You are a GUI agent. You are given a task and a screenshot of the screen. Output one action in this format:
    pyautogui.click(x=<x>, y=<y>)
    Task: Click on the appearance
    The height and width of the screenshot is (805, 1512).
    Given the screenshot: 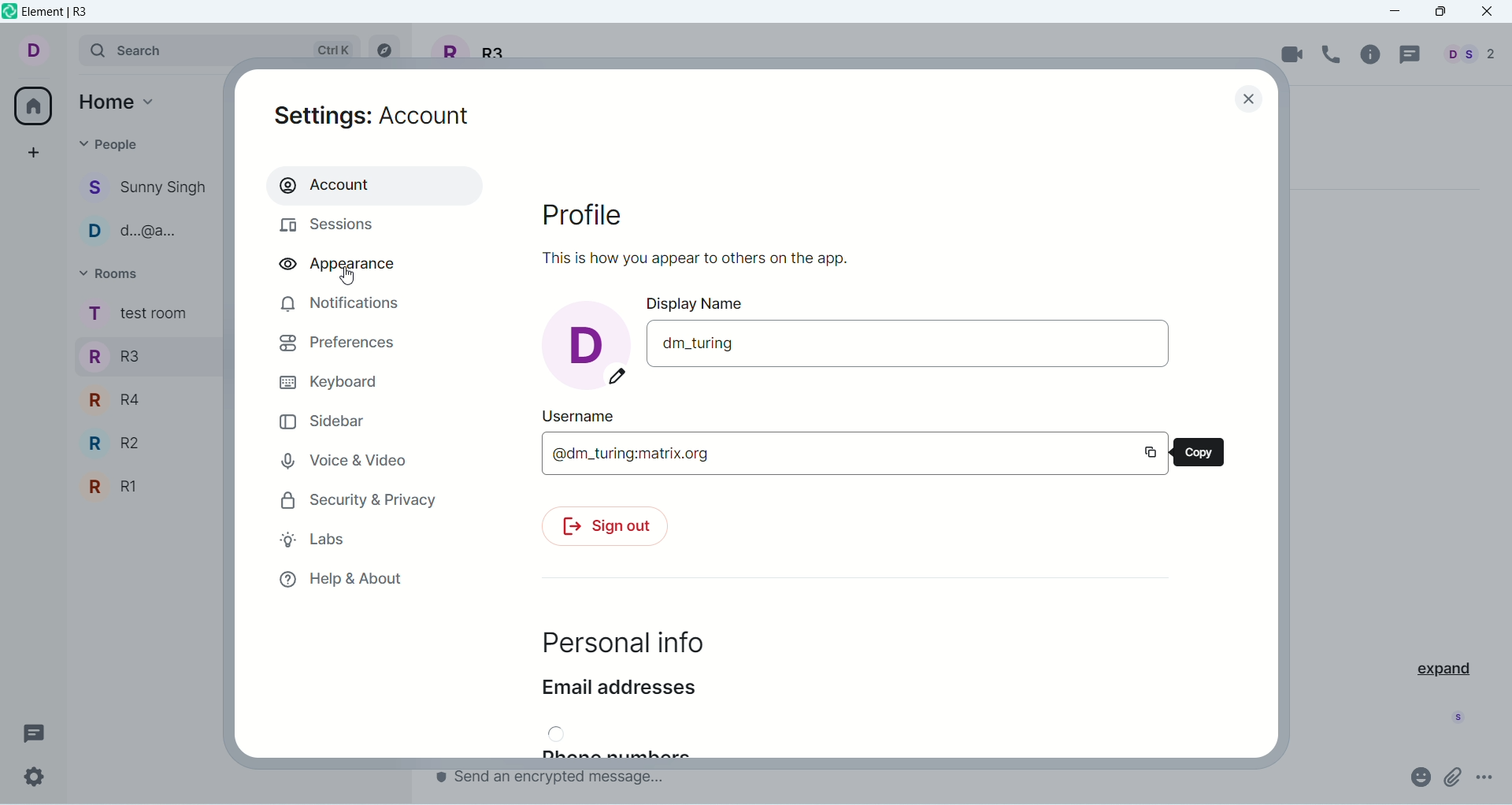 What is the action you would take?
    pyautogui.click(x=344, y=267)
    